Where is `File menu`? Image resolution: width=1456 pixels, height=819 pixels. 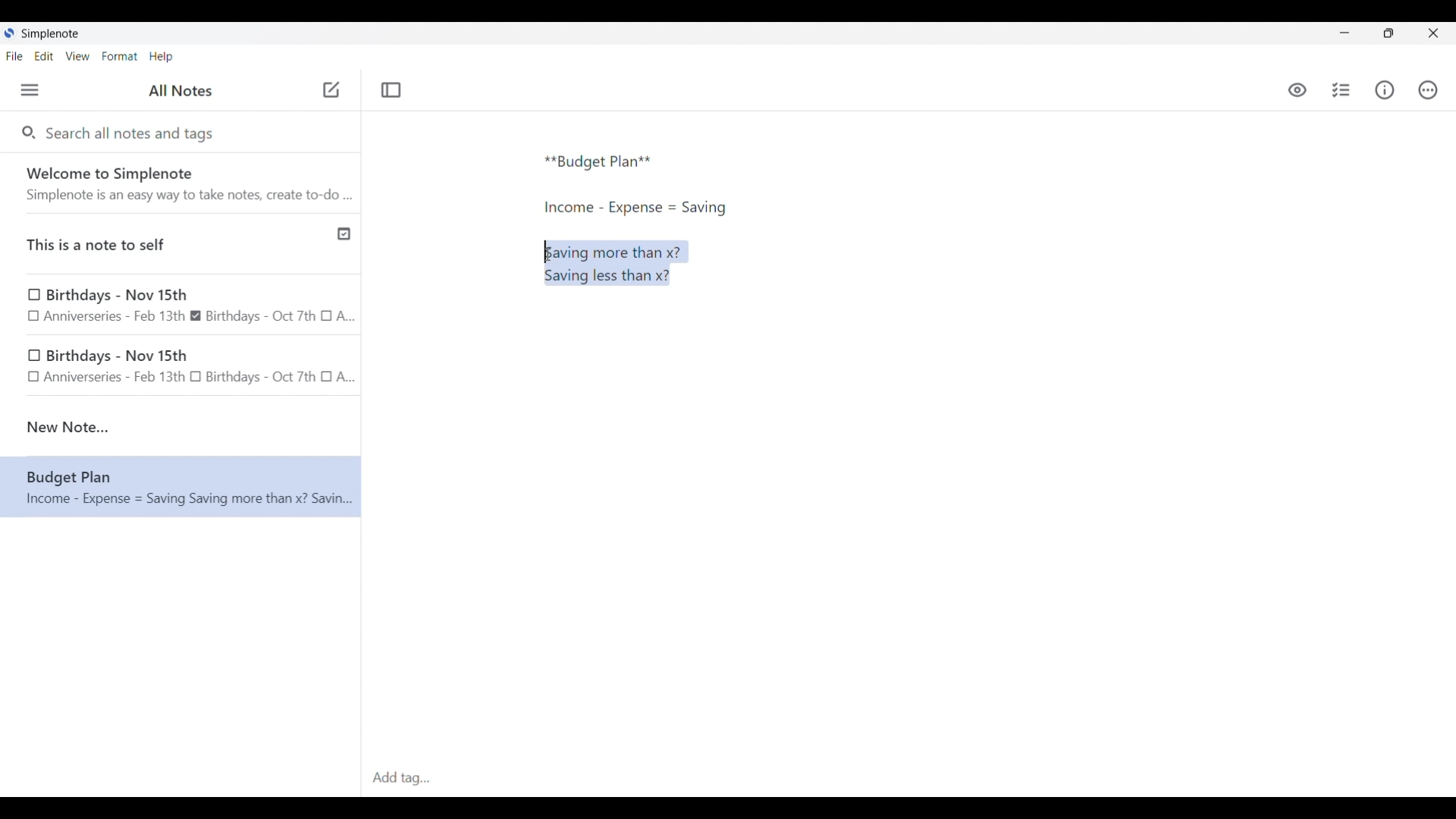
File menu is located at coordinates (14, 55).